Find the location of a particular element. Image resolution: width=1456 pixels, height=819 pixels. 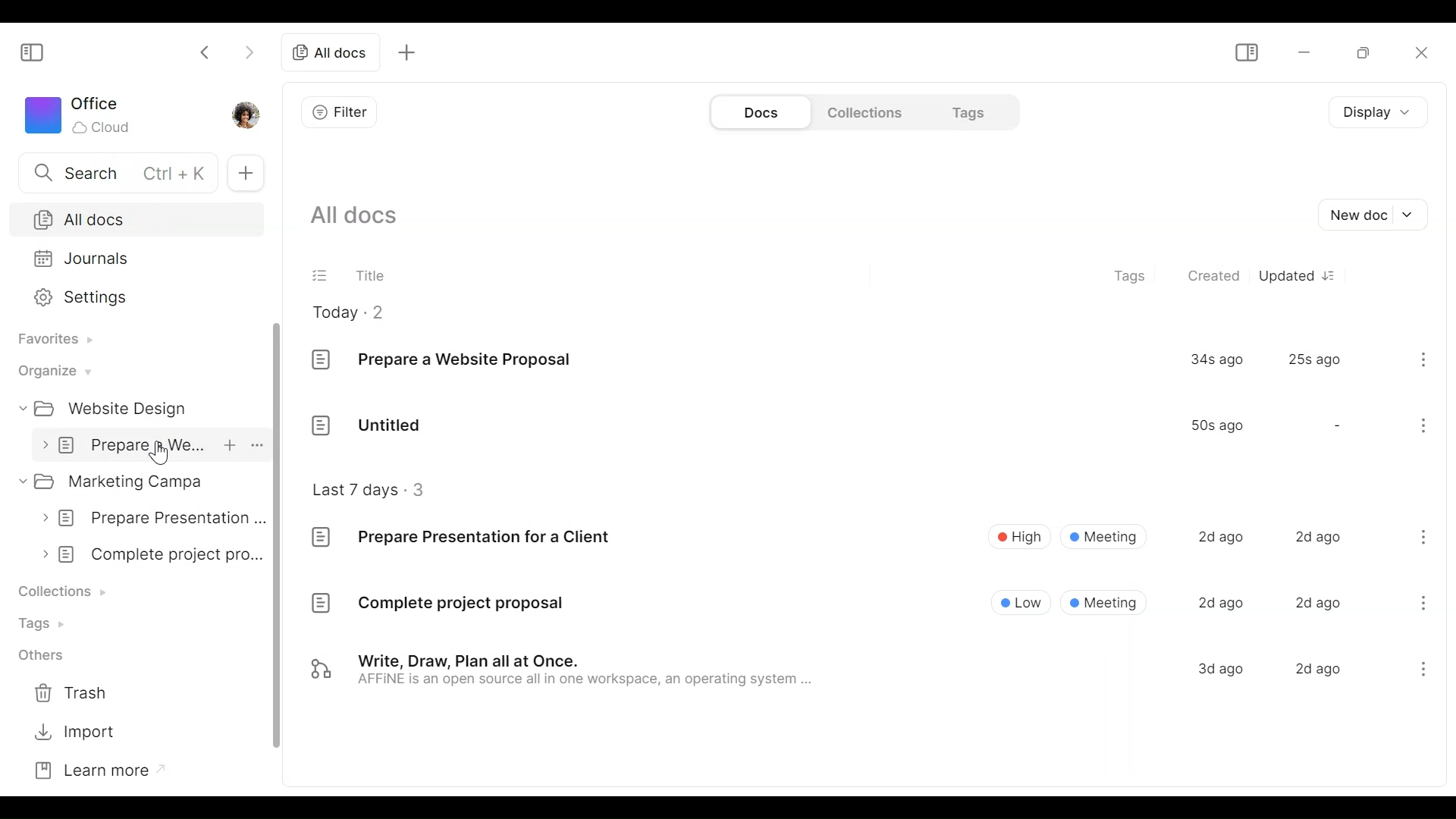

New Document is located at coordinates (1366, 216).